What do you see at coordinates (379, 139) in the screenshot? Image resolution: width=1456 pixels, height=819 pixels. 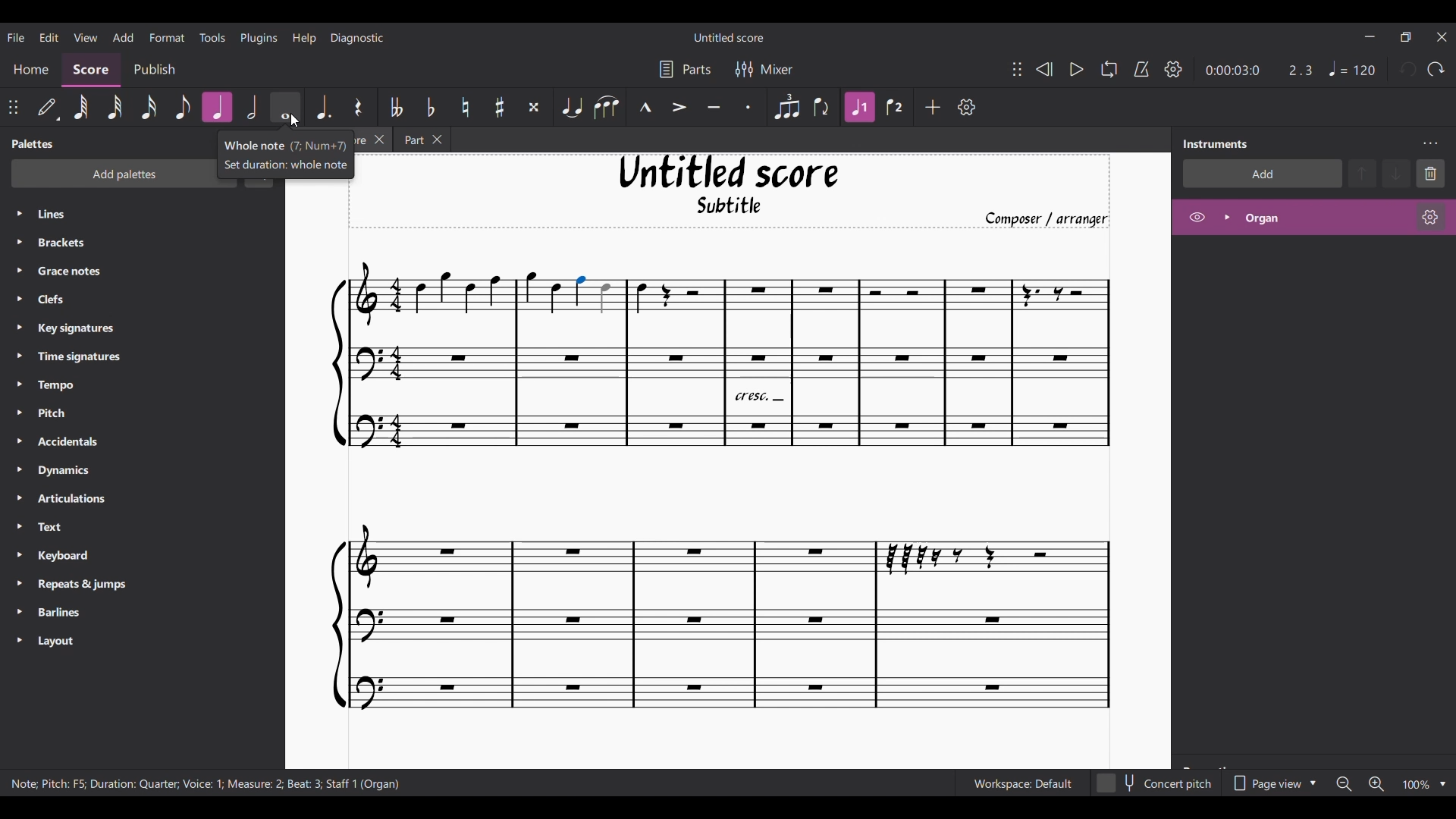 I see `Close current tab` at bounding box center [379, 139].